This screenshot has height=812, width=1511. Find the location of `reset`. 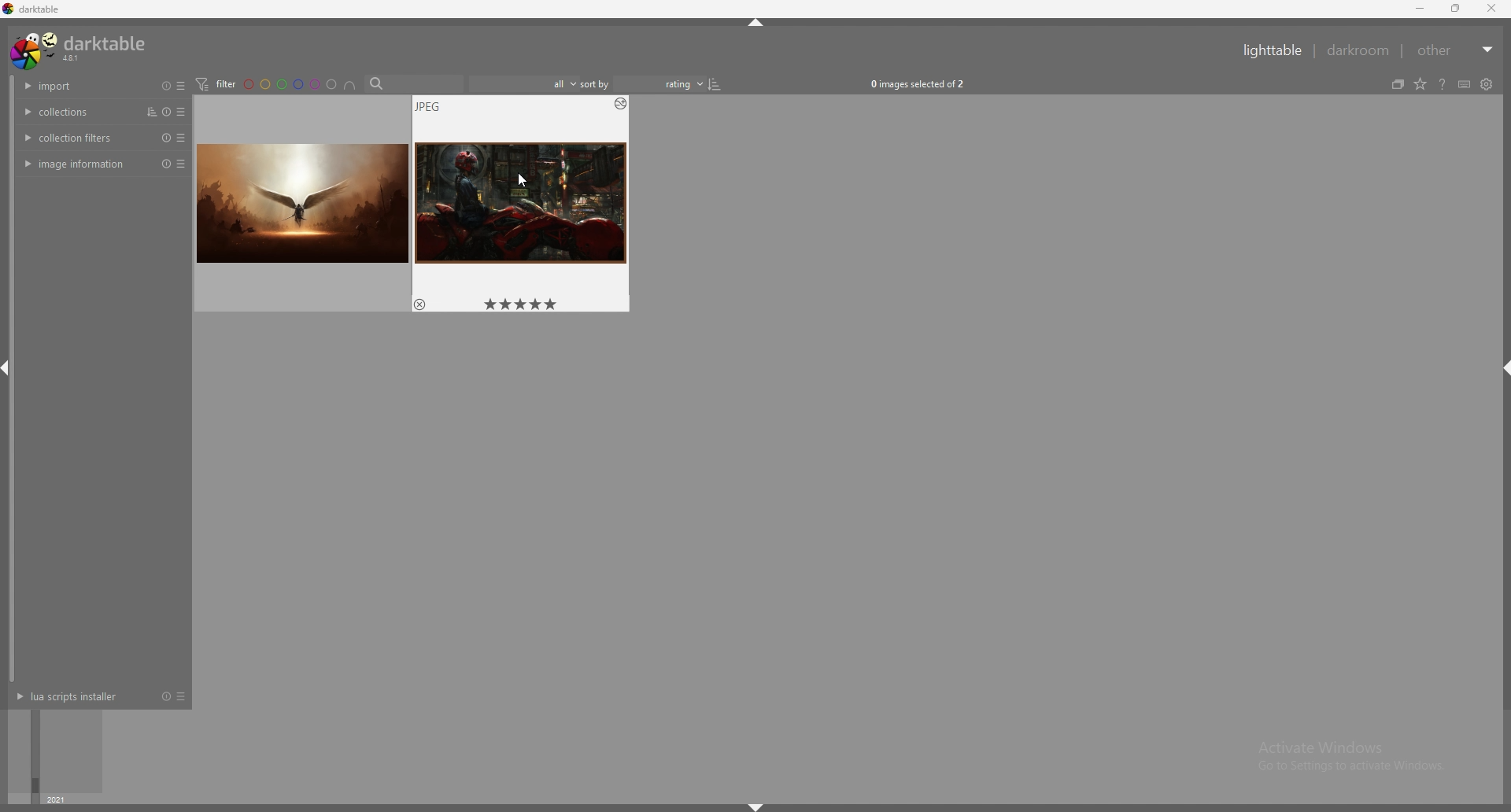

reset is located at coordinates (168, 112).